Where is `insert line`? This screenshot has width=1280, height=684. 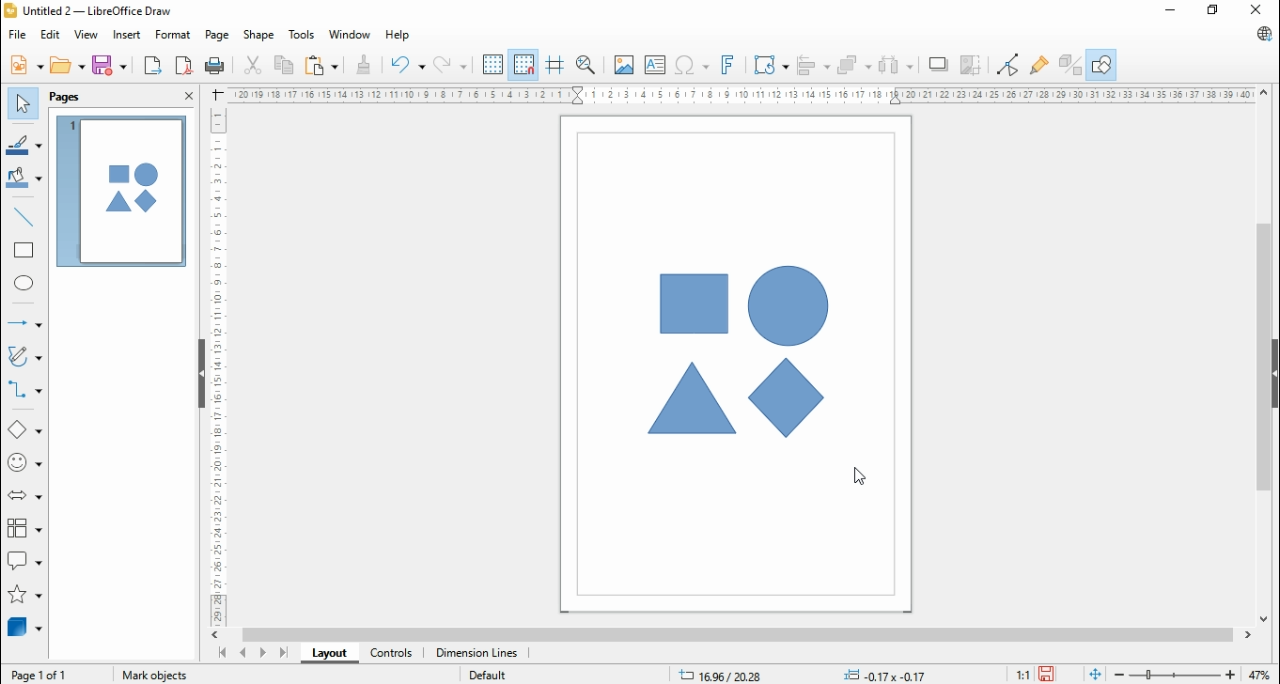 insert line is located at coordinates (27, 217).